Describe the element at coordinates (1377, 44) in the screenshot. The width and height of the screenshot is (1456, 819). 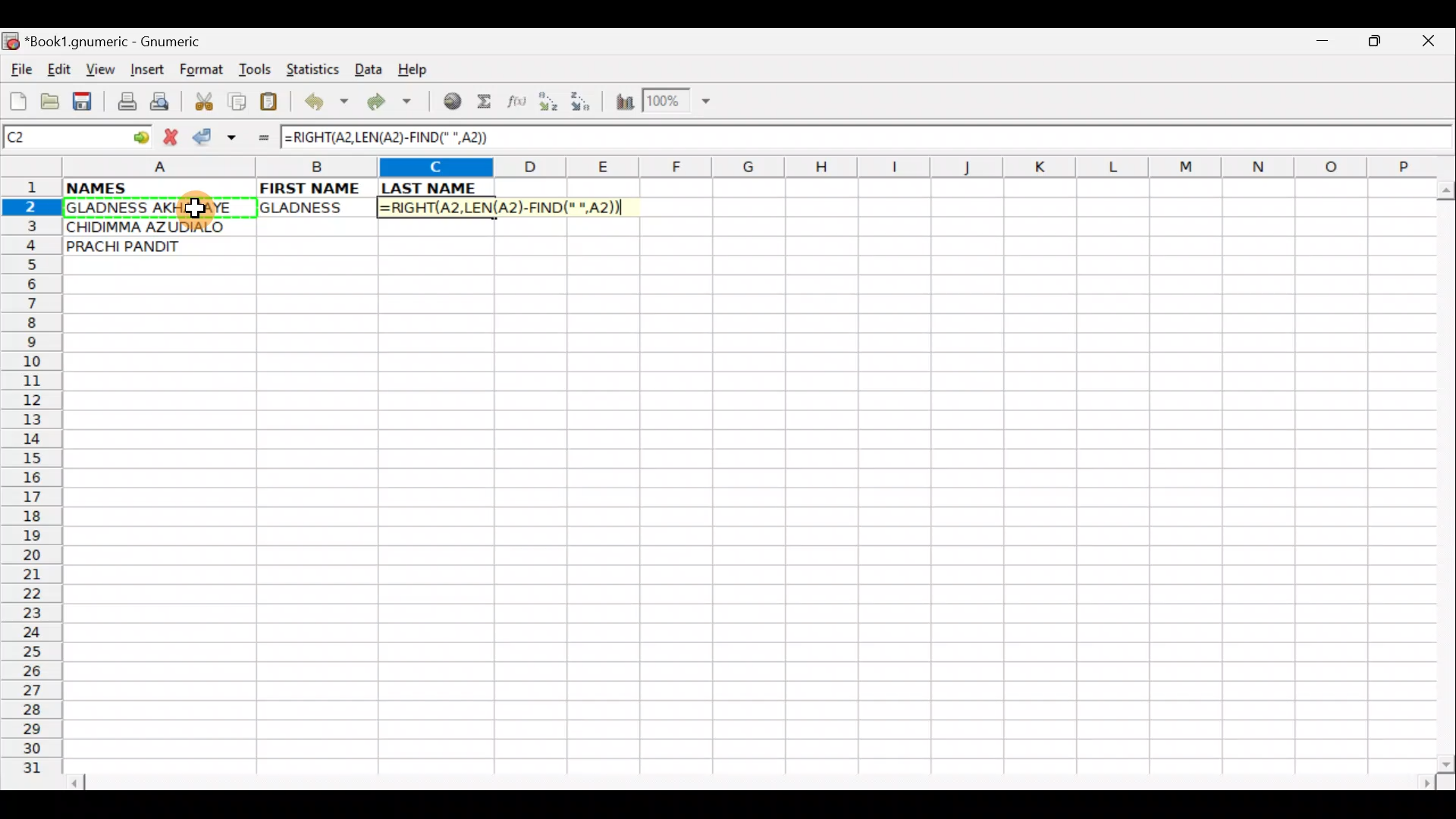
I see `Maximize` at that location.